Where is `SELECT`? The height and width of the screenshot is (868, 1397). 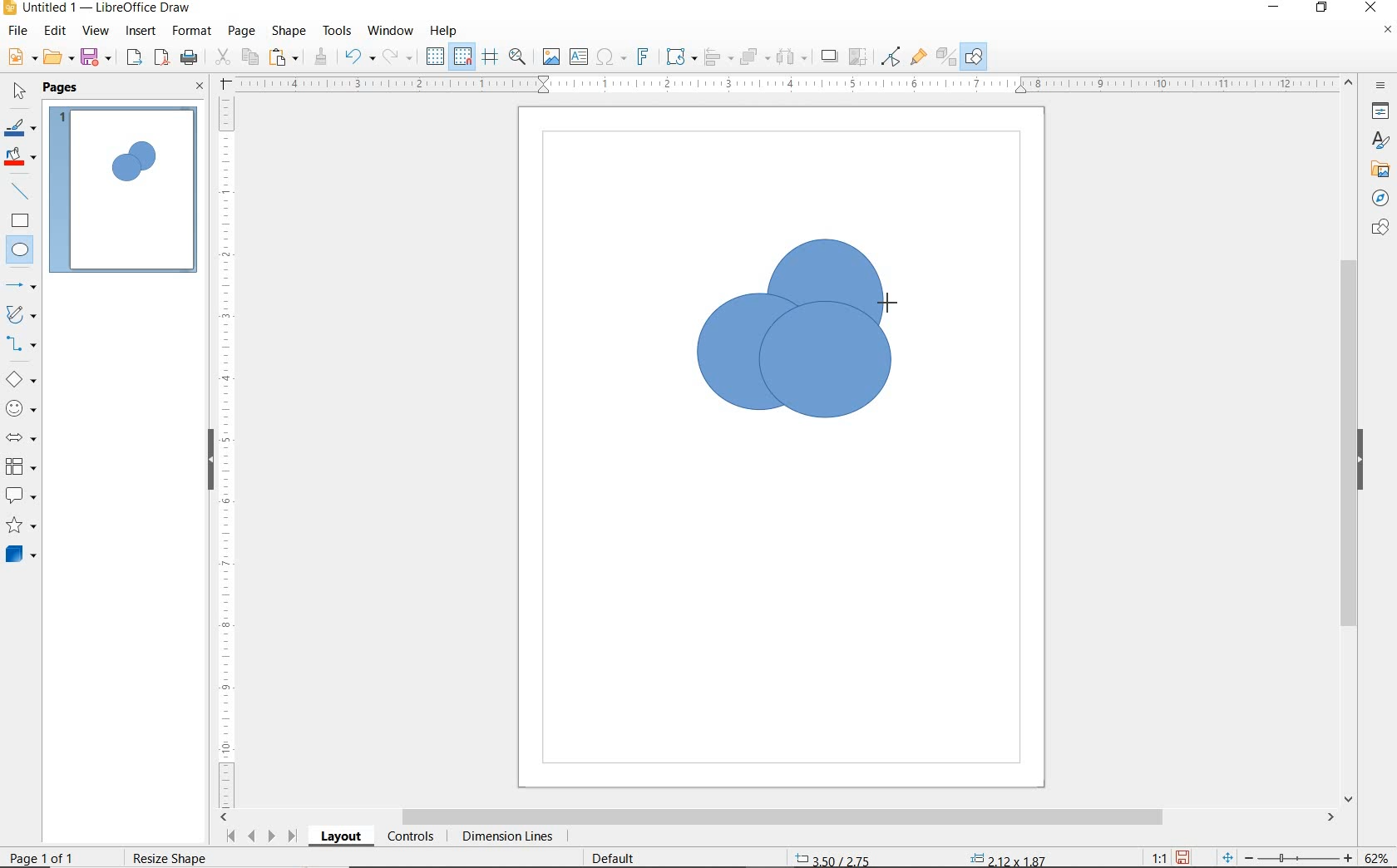
SELECT is located at coordinates (20, 92).